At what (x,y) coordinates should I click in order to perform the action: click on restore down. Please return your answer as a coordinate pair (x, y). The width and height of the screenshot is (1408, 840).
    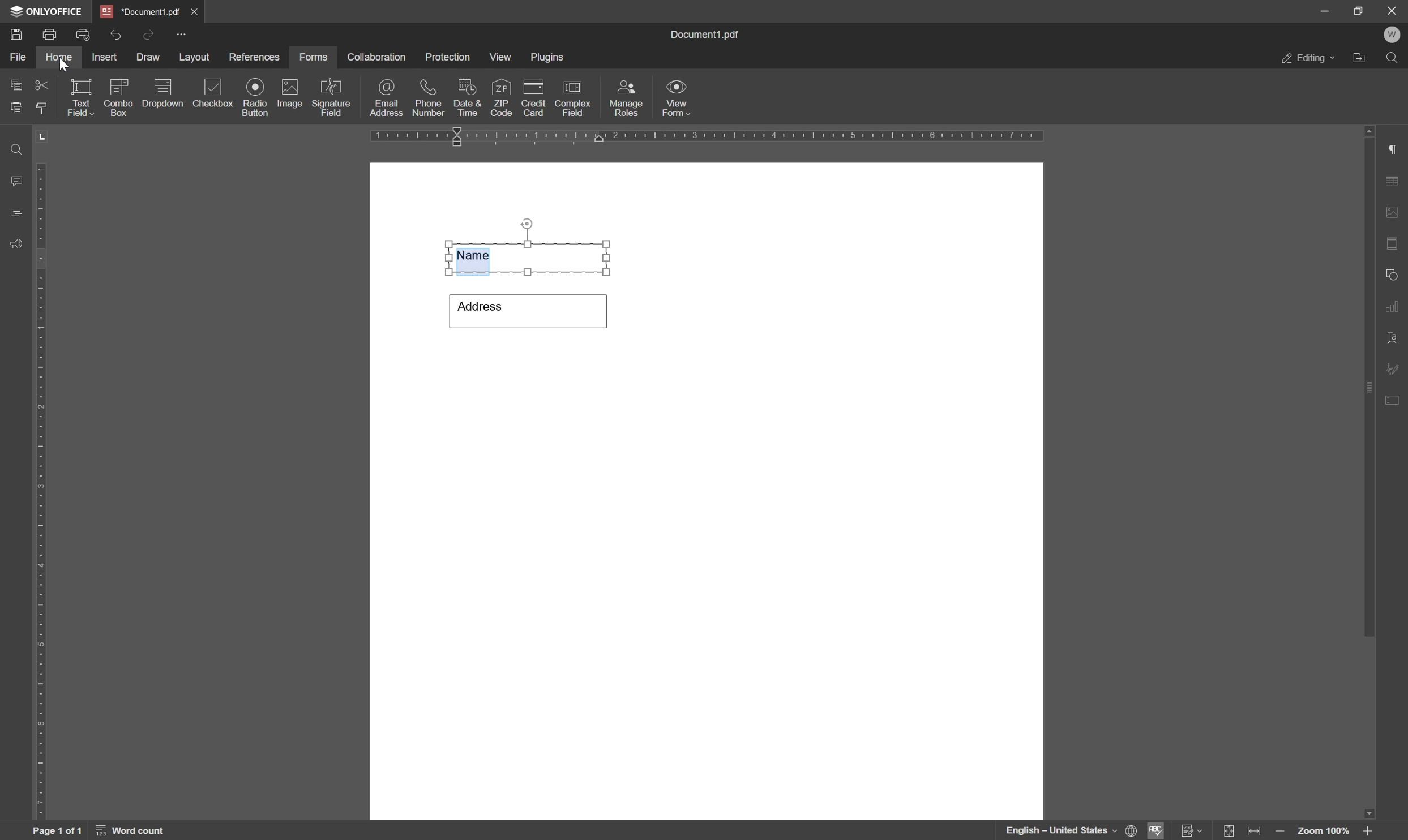
    Looking at the image, I should click on (1354, 10).